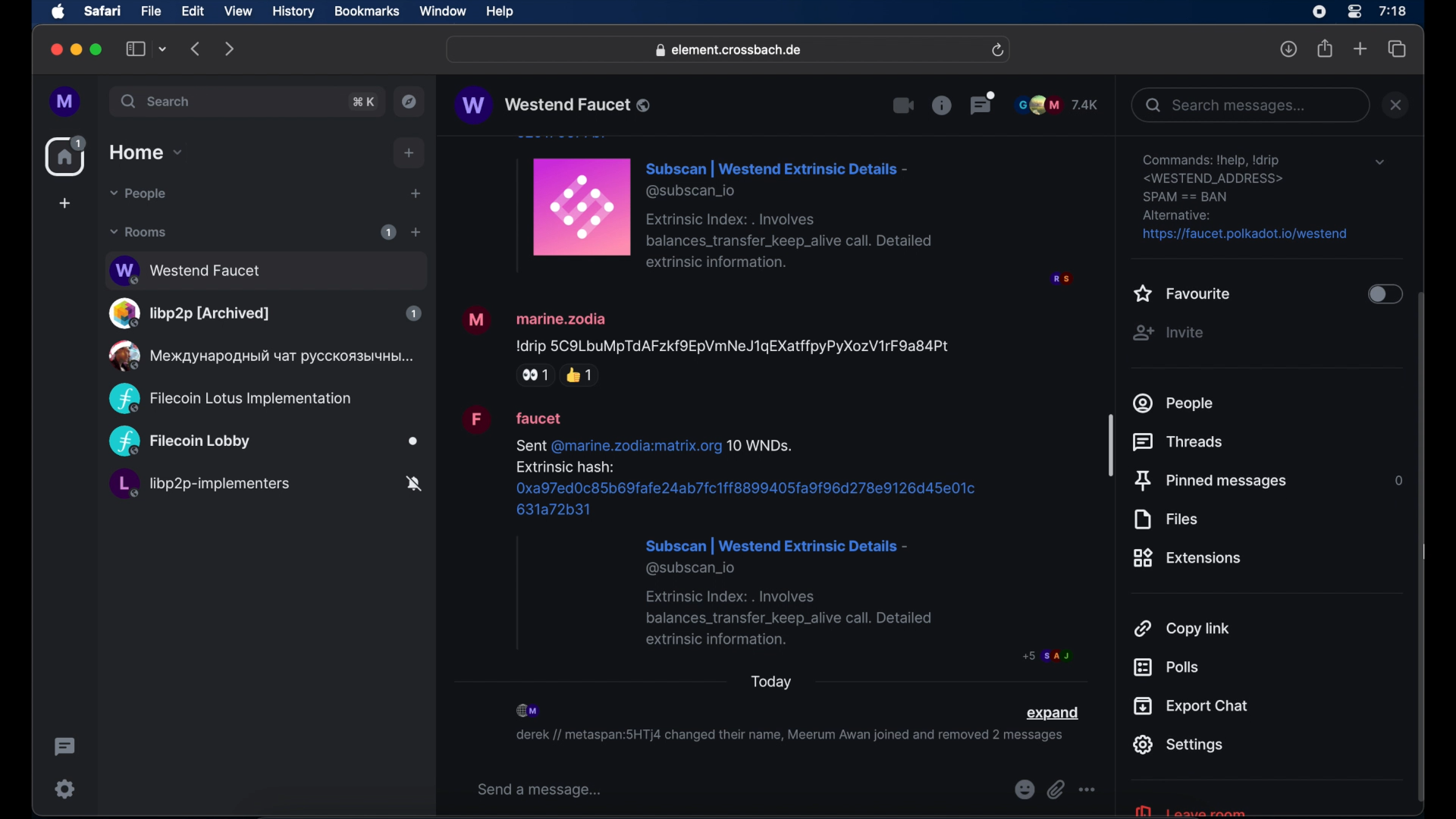 The height and width of the screenshot is (819, 1456). I want to click on message, so click(791, 212).